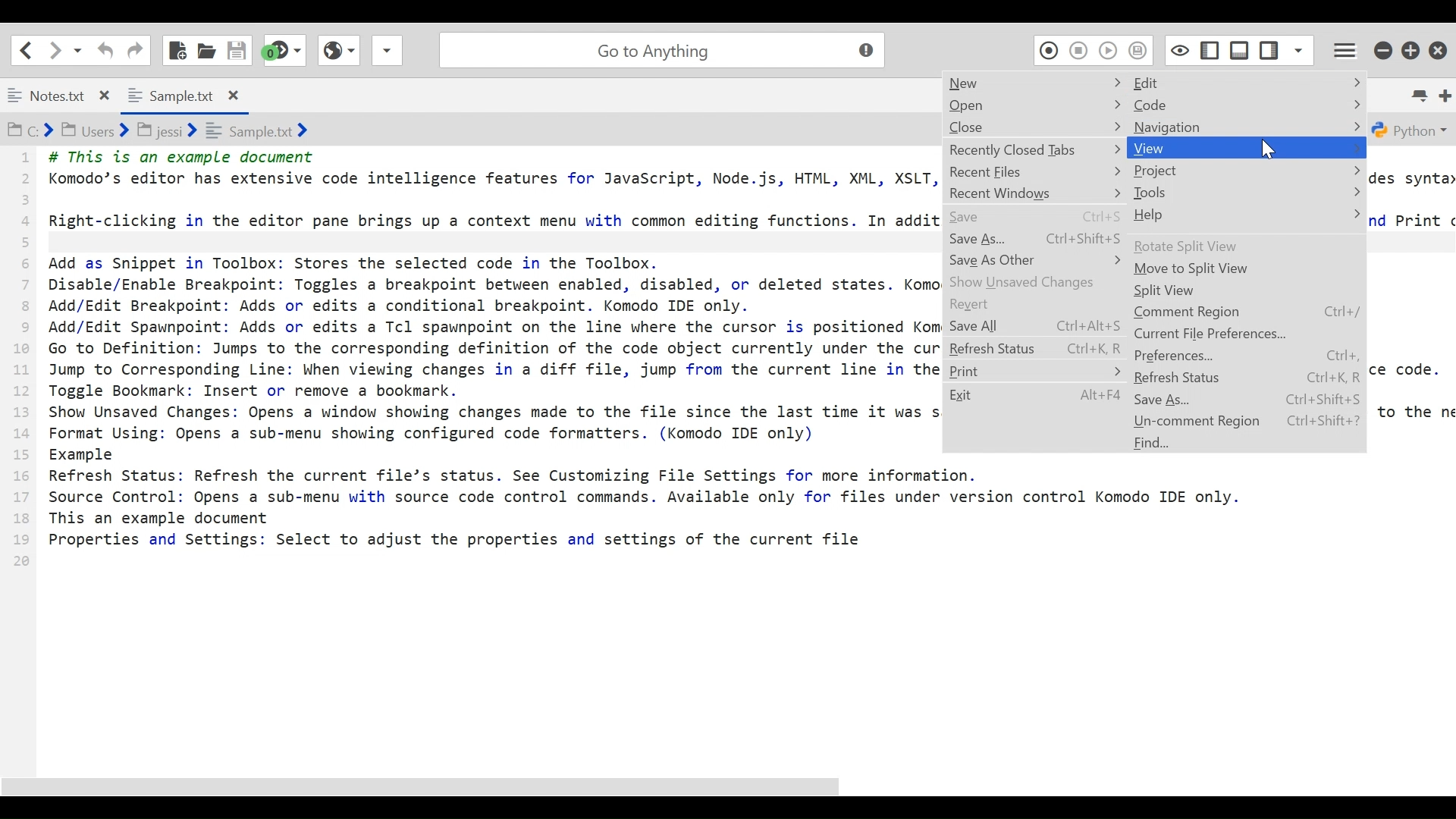  Describe the element at coordinates (1269, 49) in the screenshot. I see `Show/Hide Left Pane` at that location.